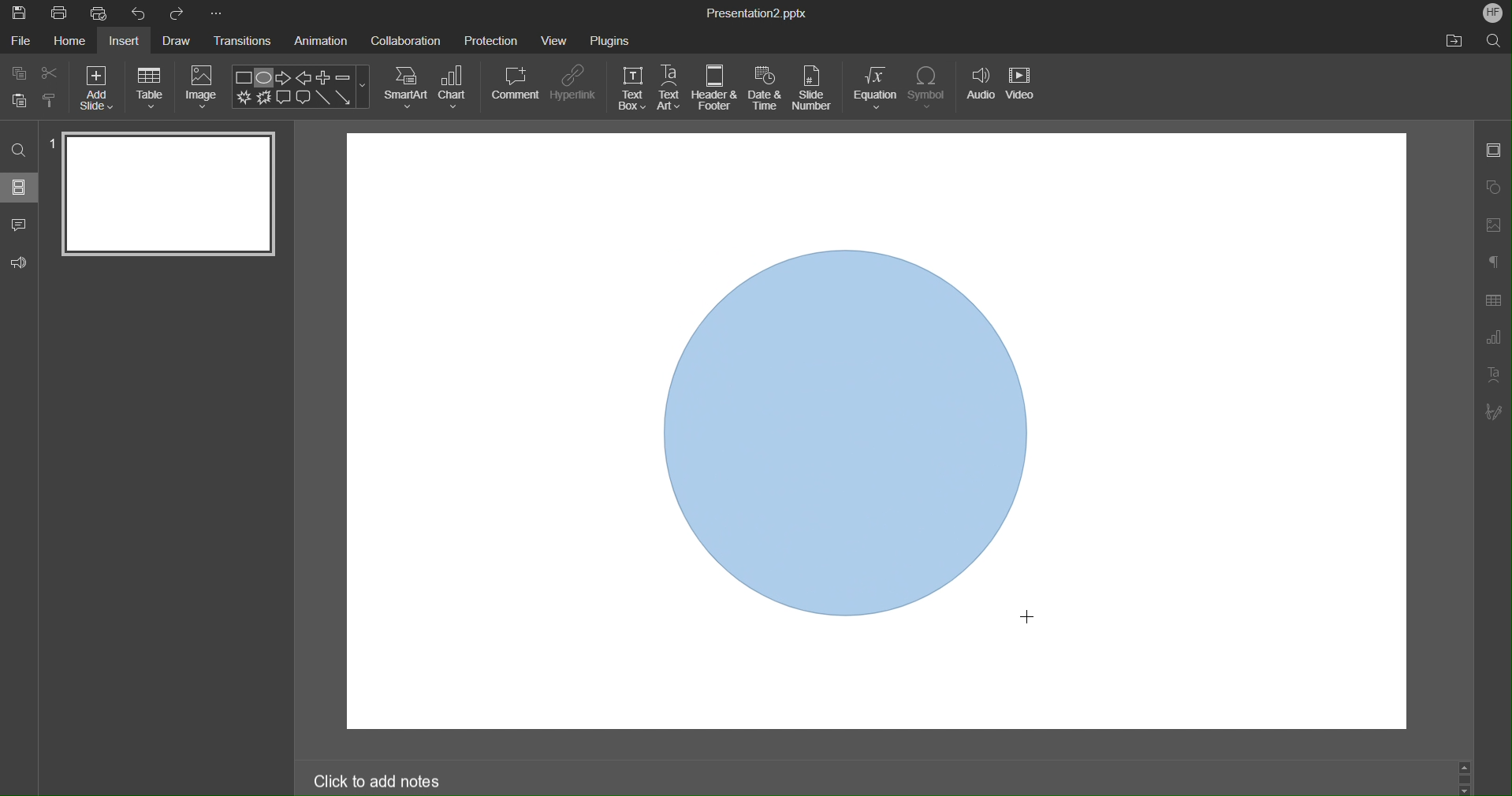 The image size is (1512, 796). What do you see at coordinates (1492, 300) in the screenshot?
I see `Table Settings` at bounding box center [1492, 300].